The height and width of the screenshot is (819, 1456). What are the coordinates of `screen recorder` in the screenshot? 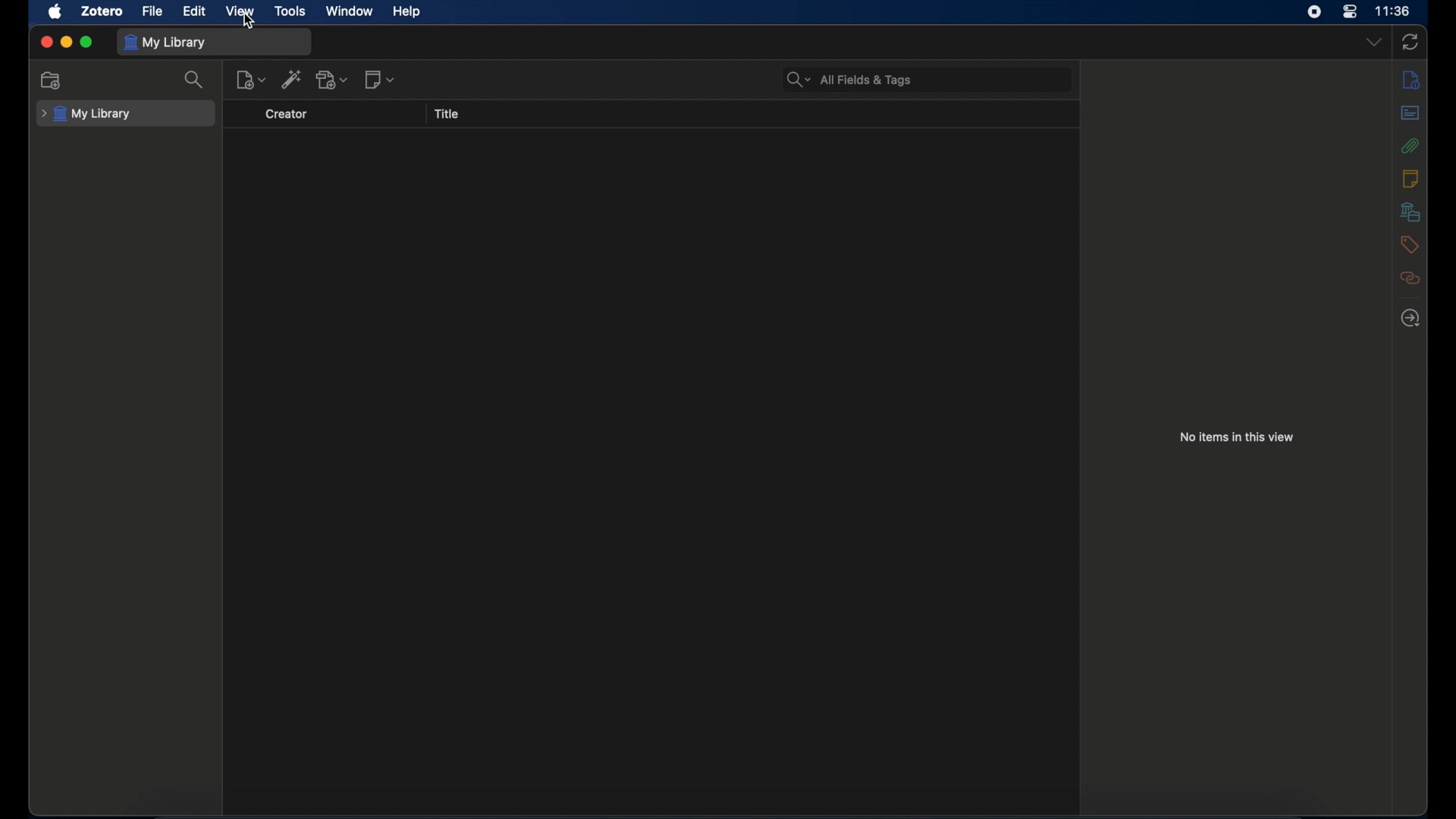 It's located at (1314, 11).